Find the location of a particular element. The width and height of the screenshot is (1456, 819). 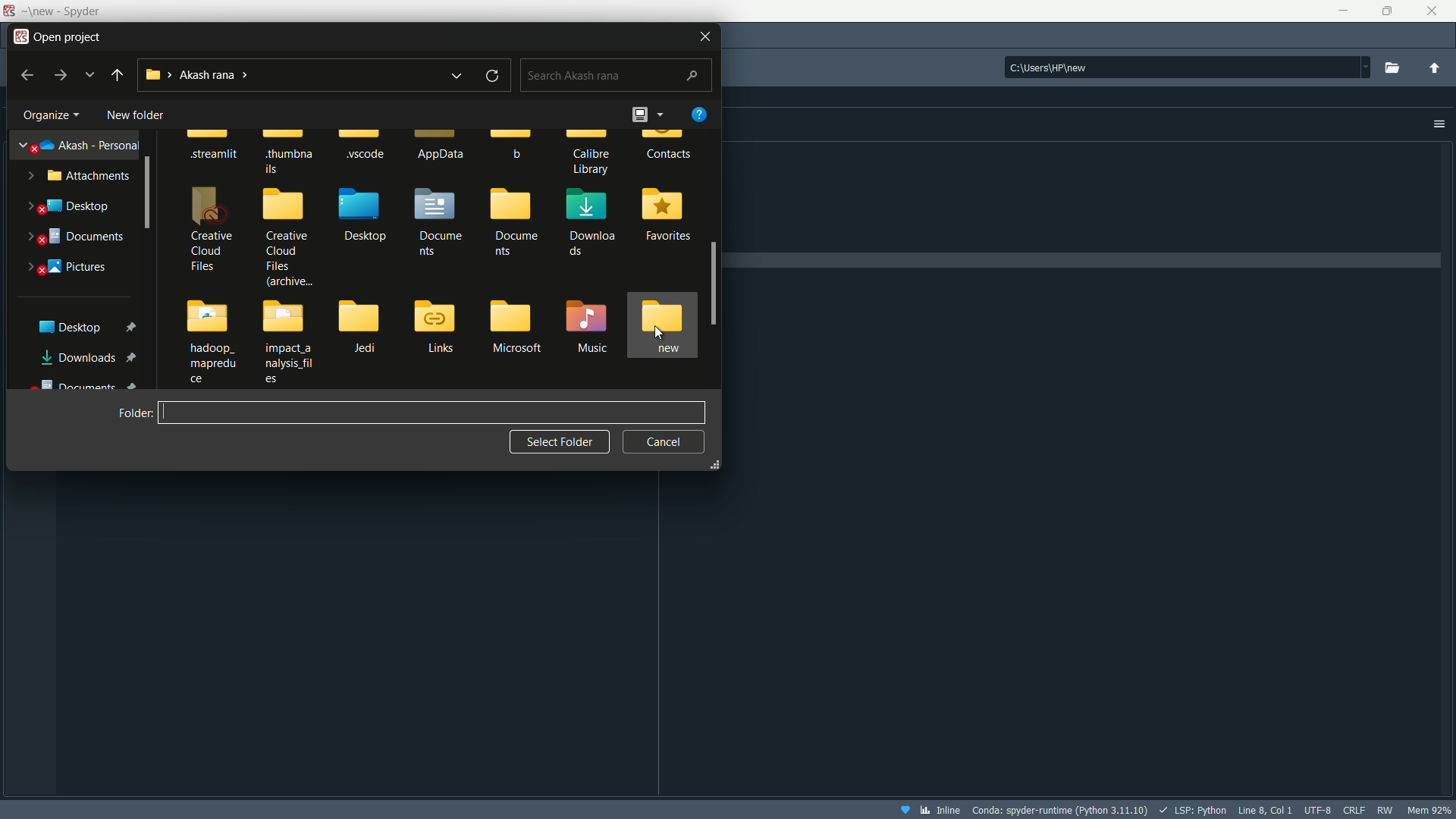

attachments is located at coordinates (79, 178).